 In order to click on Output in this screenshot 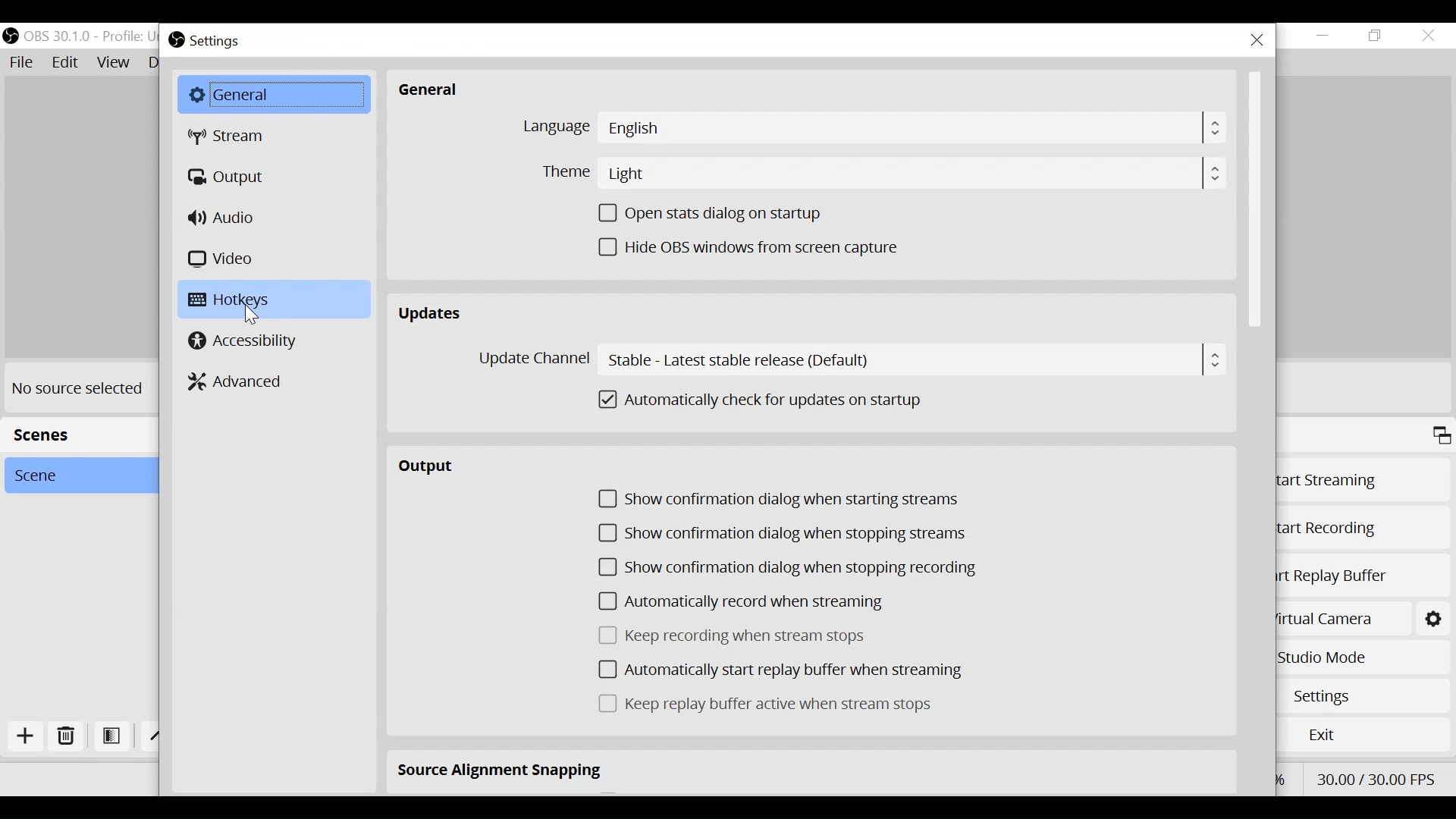, I will do `click(231, 177)`.